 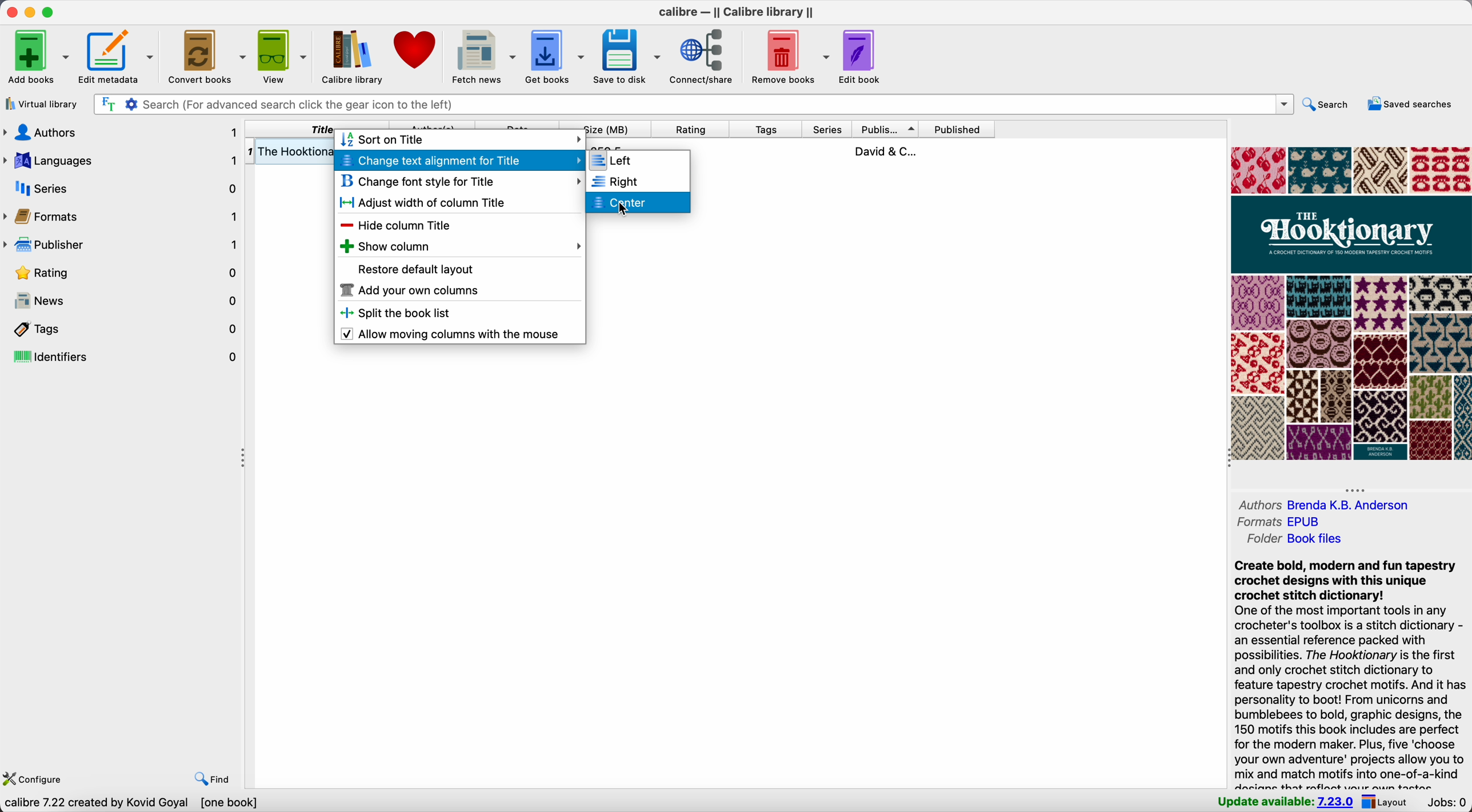 What do you see at coordinates (9, 11) in the screenshot?
I see `close Calibre` at bounding box center [9, 11].